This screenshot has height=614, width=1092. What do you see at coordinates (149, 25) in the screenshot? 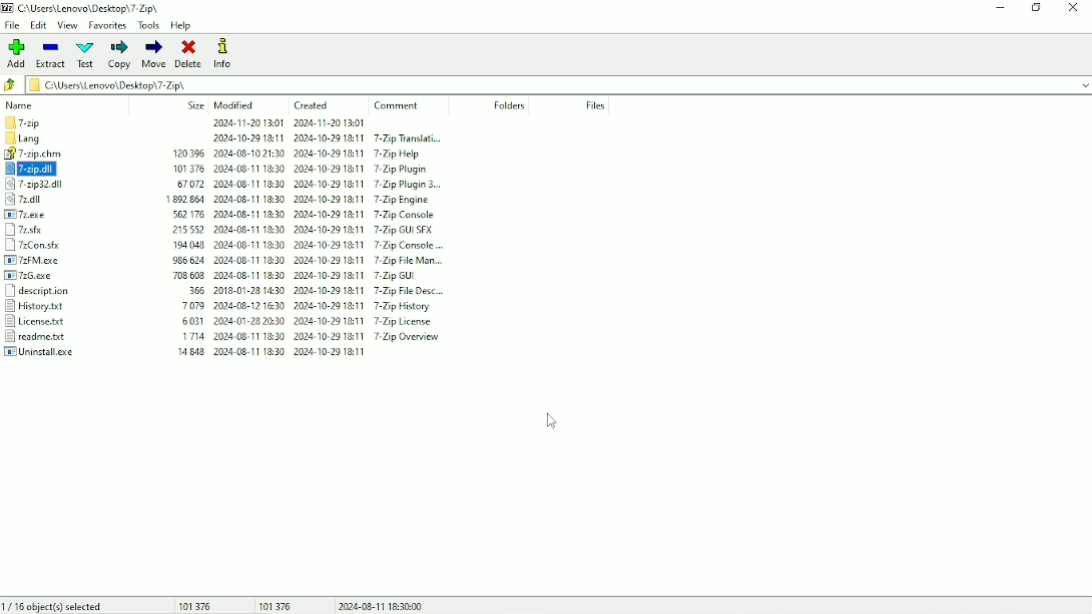
I see `Tools` at bounding box center [149, 25].